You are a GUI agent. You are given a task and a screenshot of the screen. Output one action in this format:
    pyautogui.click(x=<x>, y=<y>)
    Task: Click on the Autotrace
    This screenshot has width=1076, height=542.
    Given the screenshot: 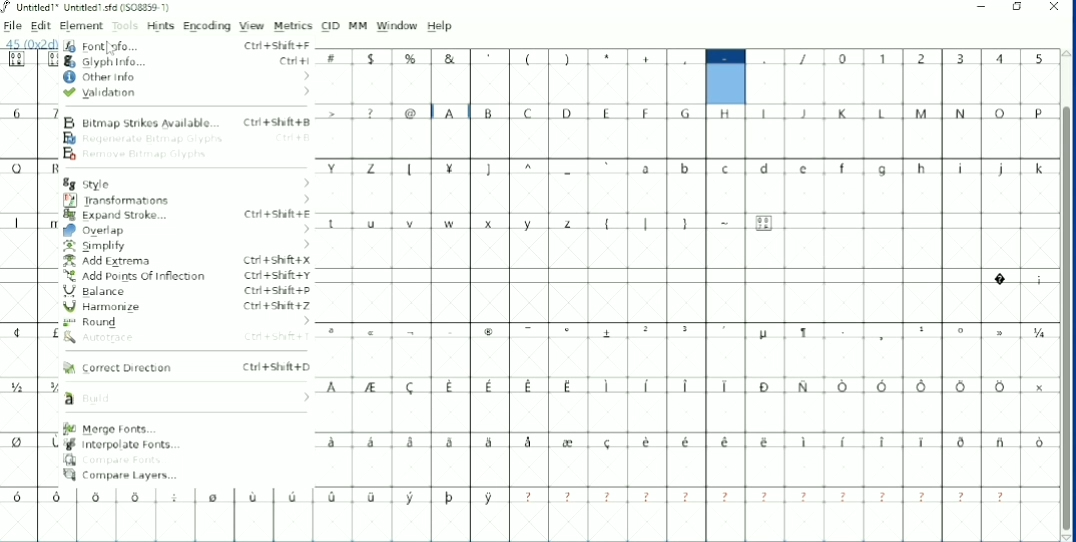 What is the action you would take?
    pyautogui.click(x=186, y=339)
    